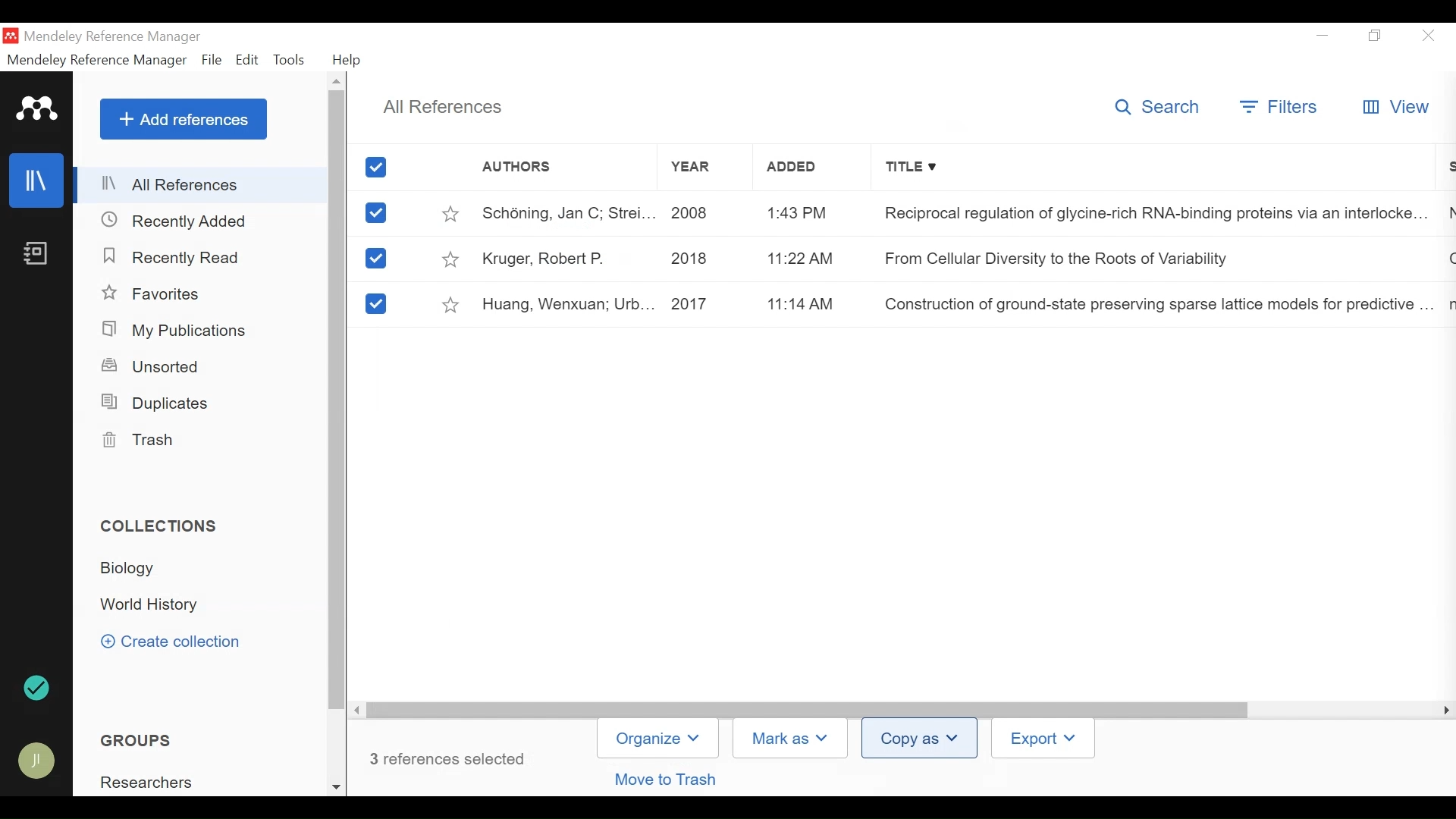 This screenshot has width=1456, height=819. I want to click on Mark as, so click(794, 737).